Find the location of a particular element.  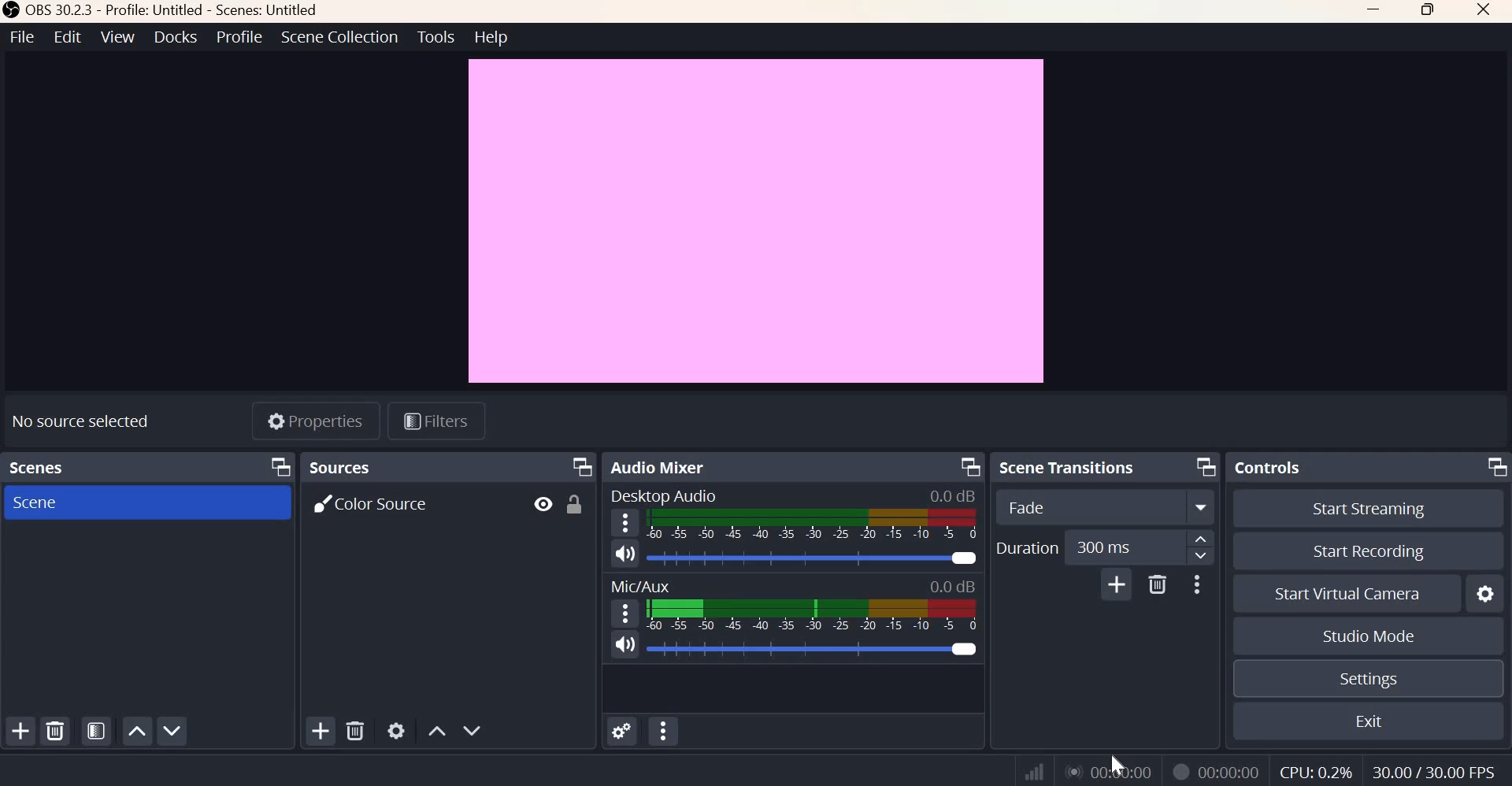

Maximize is located at coordinates (1429, 13).